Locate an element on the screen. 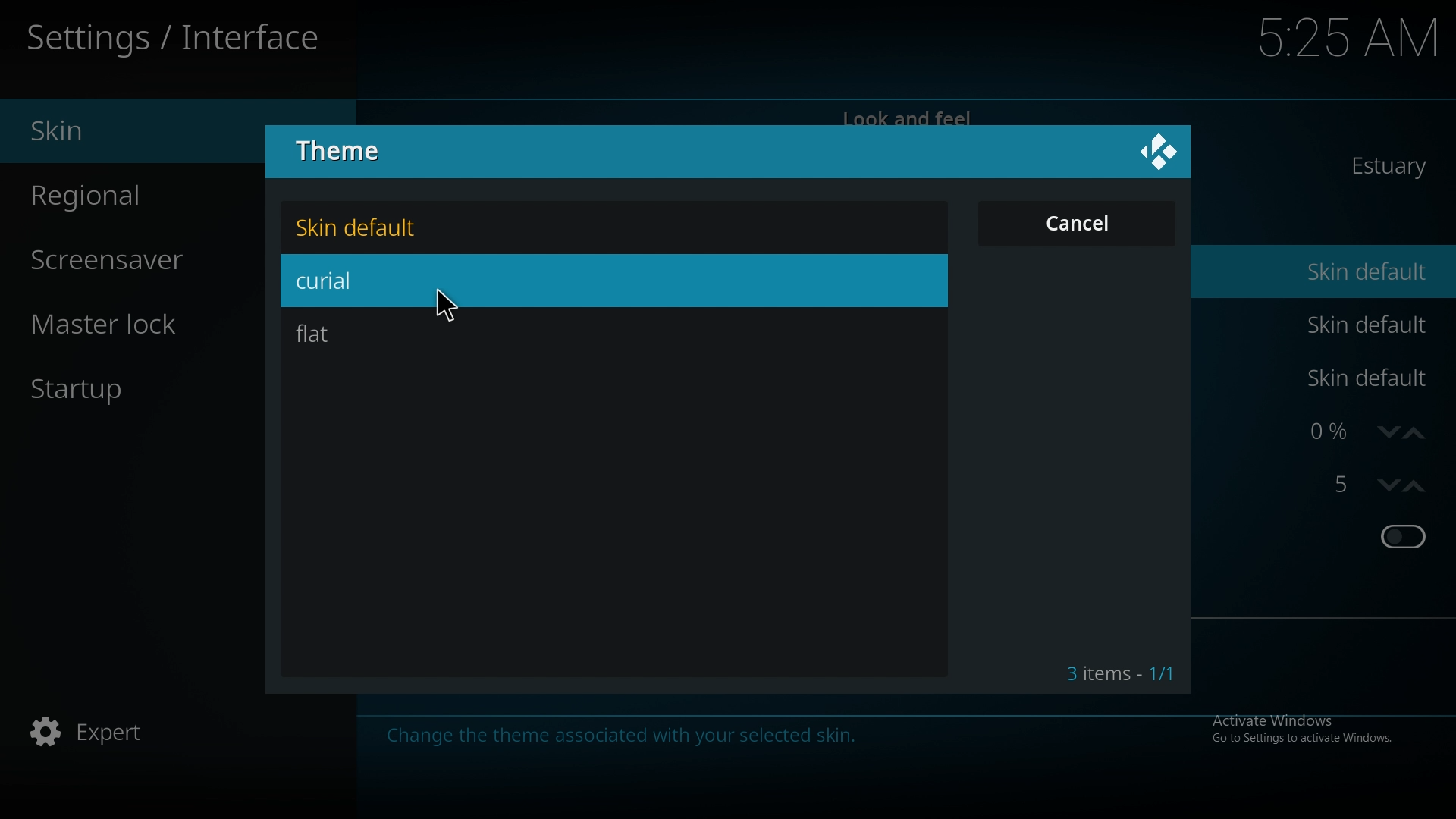 Image resolution: width=1456 pixels, height=819 pixels. estuary is located at coordinates (1389, 165).